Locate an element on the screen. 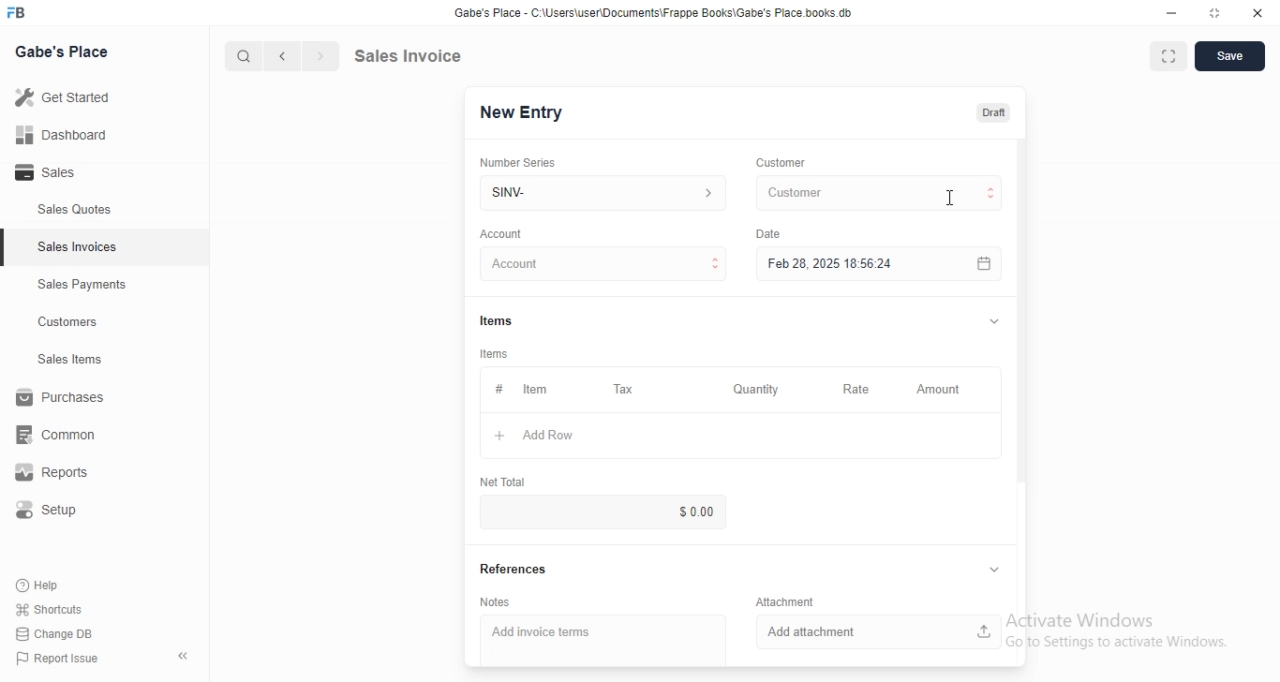 This screenshot has width=1280, height=682. cursor is located at coordinates (953, 199).